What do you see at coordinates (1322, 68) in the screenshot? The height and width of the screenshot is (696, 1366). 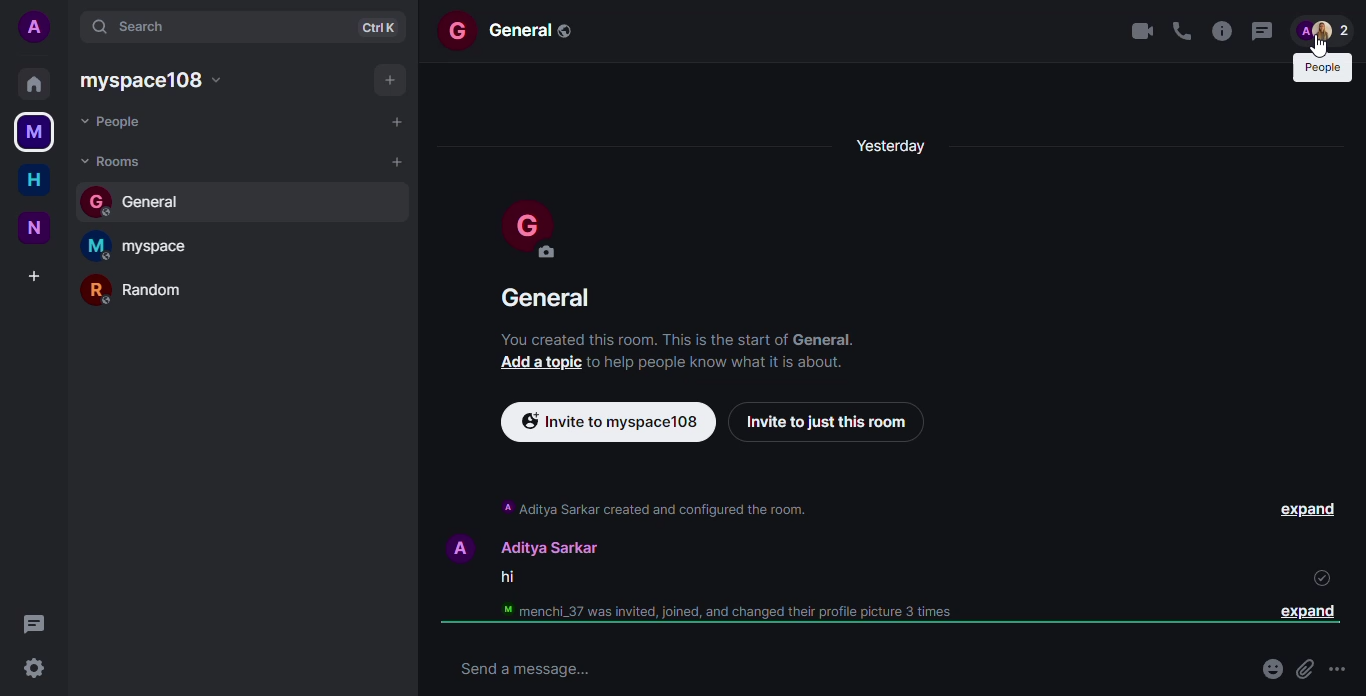 I see `people` at bounding box center [1322, 68].